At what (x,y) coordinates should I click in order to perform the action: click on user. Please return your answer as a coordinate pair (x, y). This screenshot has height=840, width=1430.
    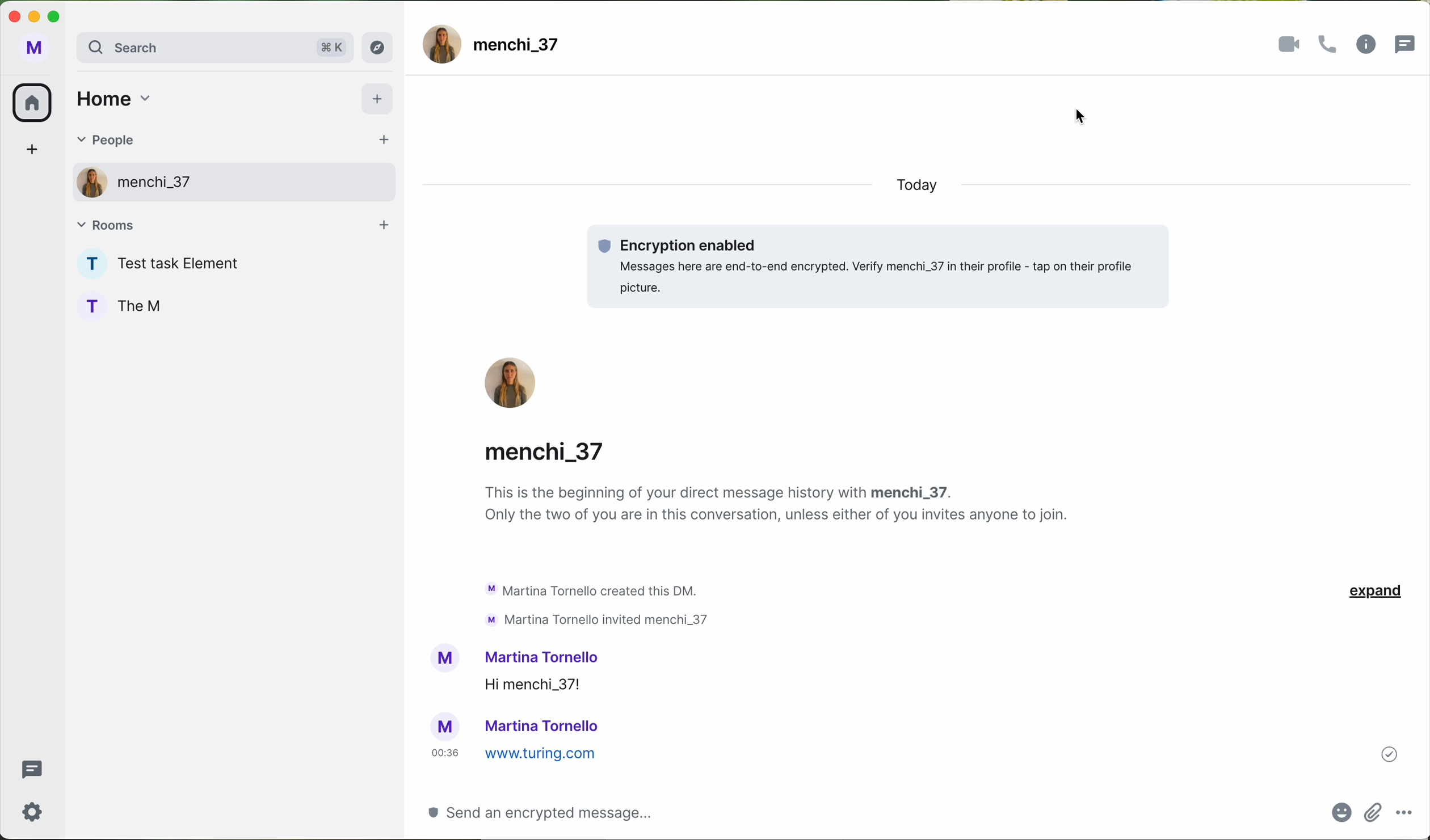
    Looking at the image, I should click on (157, 185).